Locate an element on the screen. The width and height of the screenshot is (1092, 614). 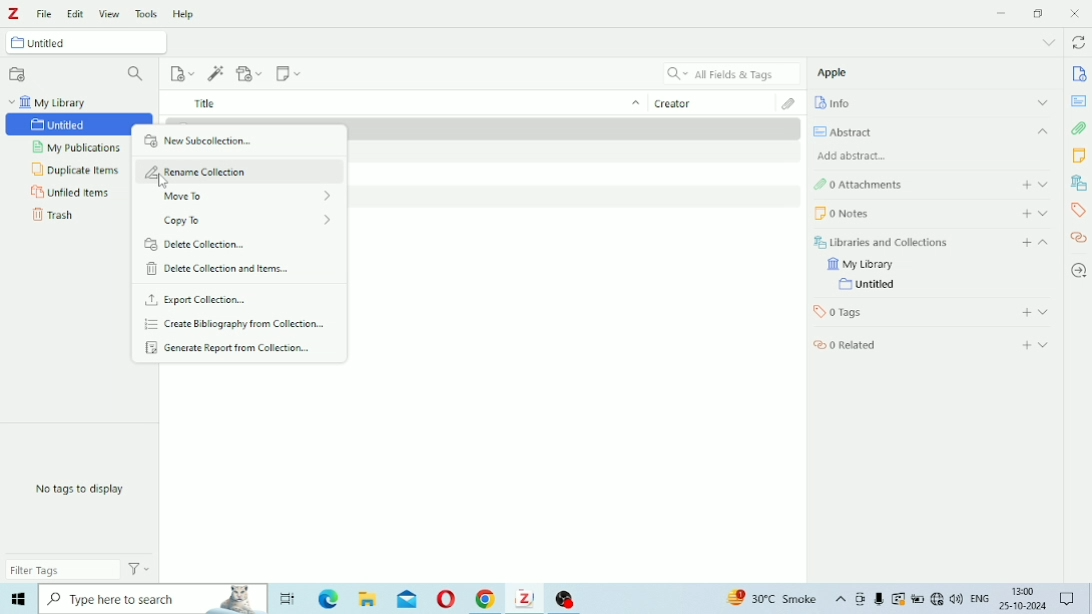
 is located at coordinates (525, 601).